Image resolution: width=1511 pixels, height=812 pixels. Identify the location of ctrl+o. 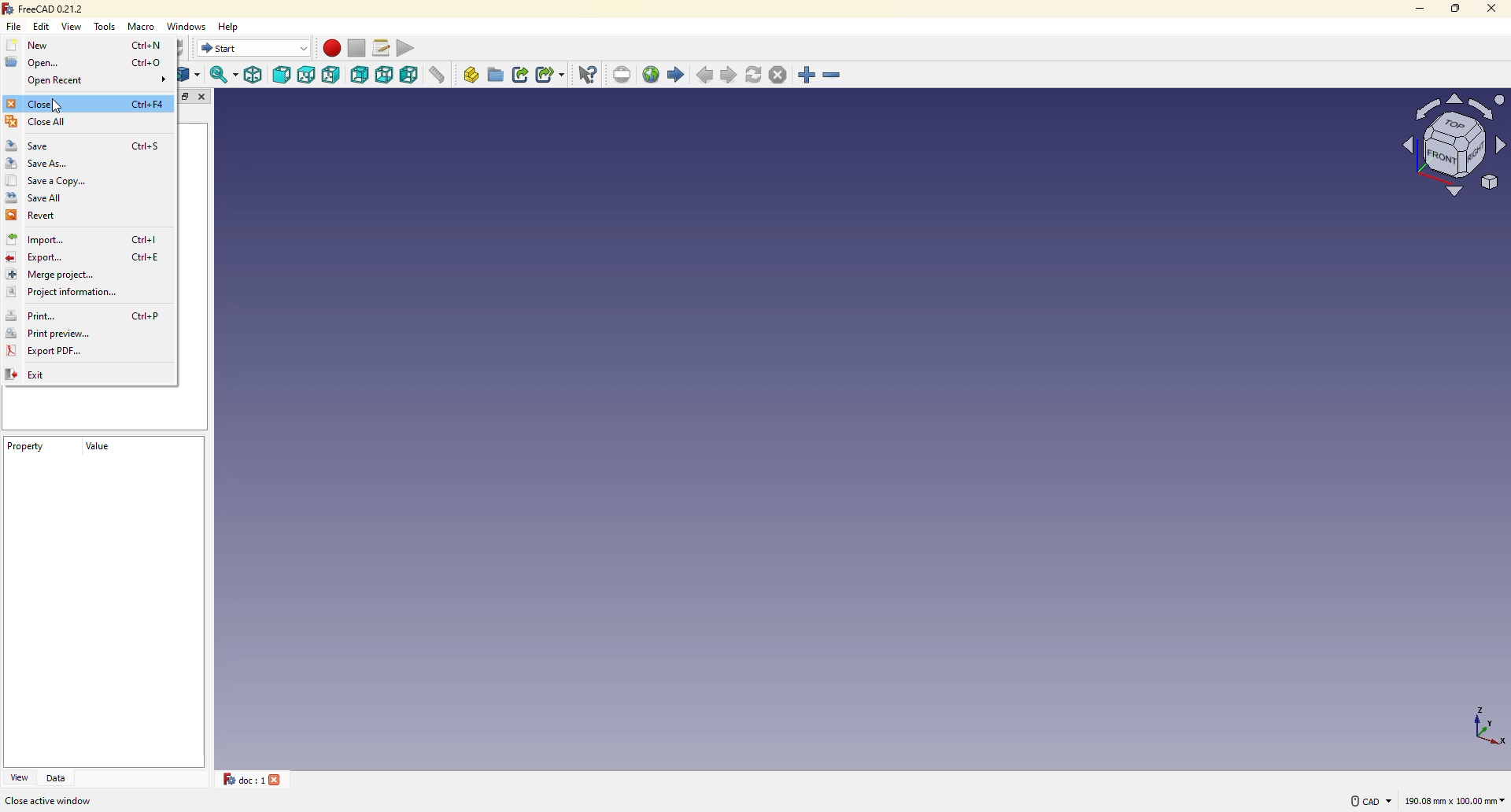
(148, 63).